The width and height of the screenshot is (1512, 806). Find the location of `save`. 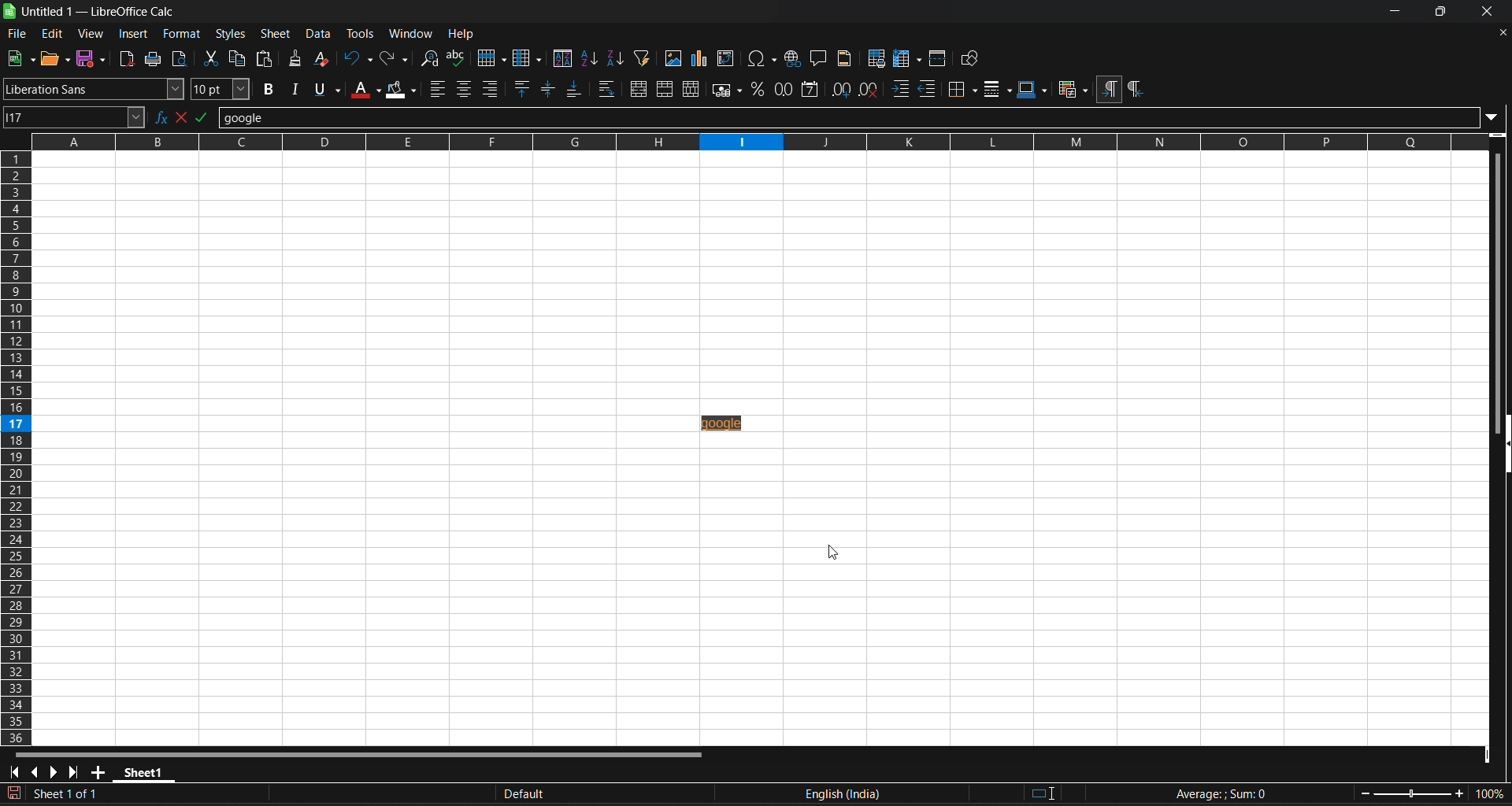

save is located at coordinates (20, 59).